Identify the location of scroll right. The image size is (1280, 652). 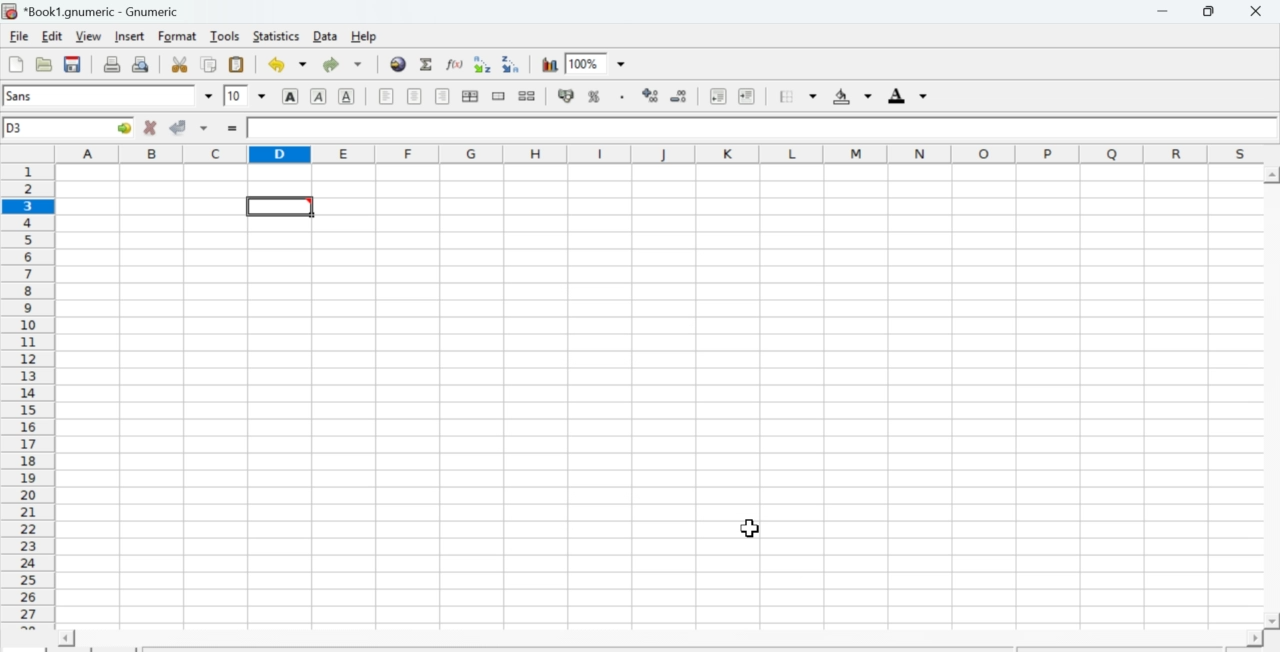
(1254, 638).